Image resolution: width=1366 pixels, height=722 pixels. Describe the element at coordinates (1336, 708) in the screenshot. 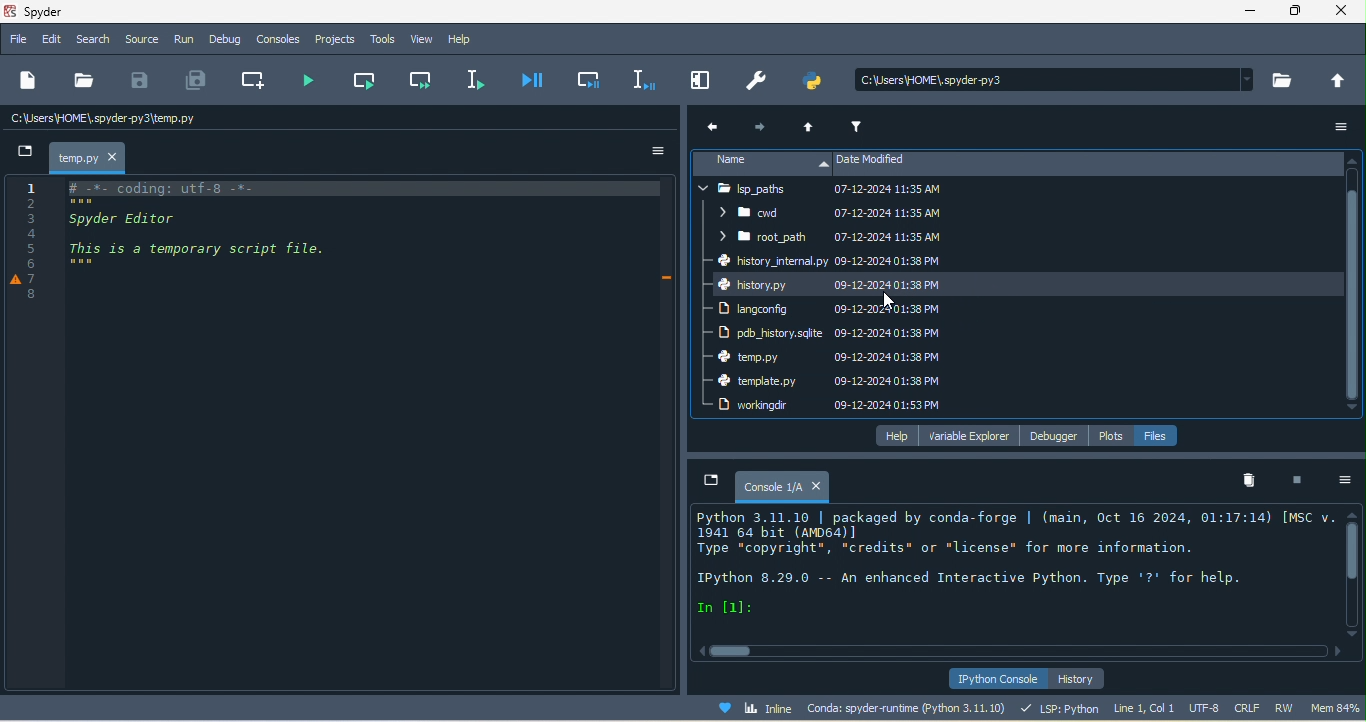

I see `mem 83%` at that location.